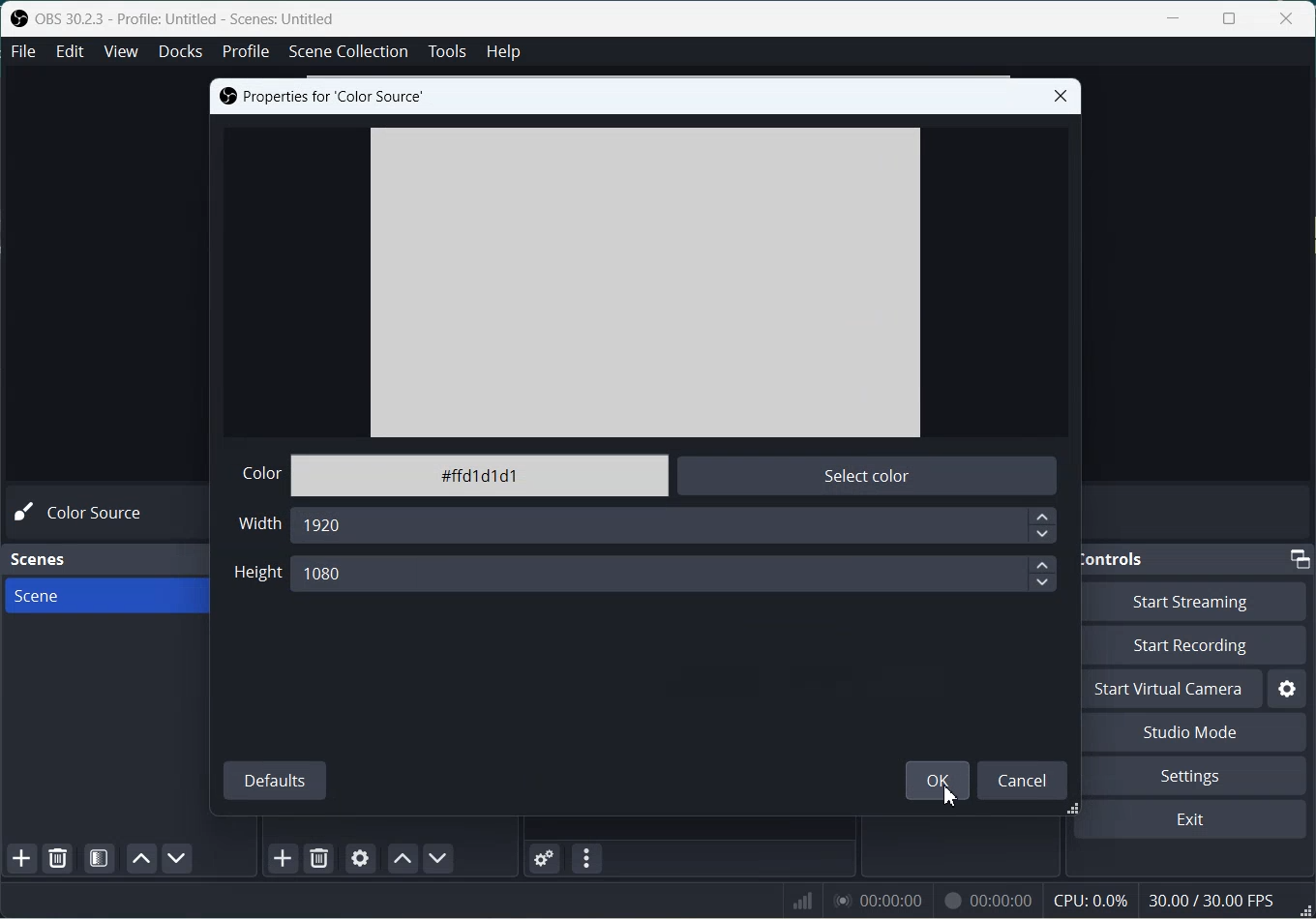  I want to click on Exit, so click(1200, 819).